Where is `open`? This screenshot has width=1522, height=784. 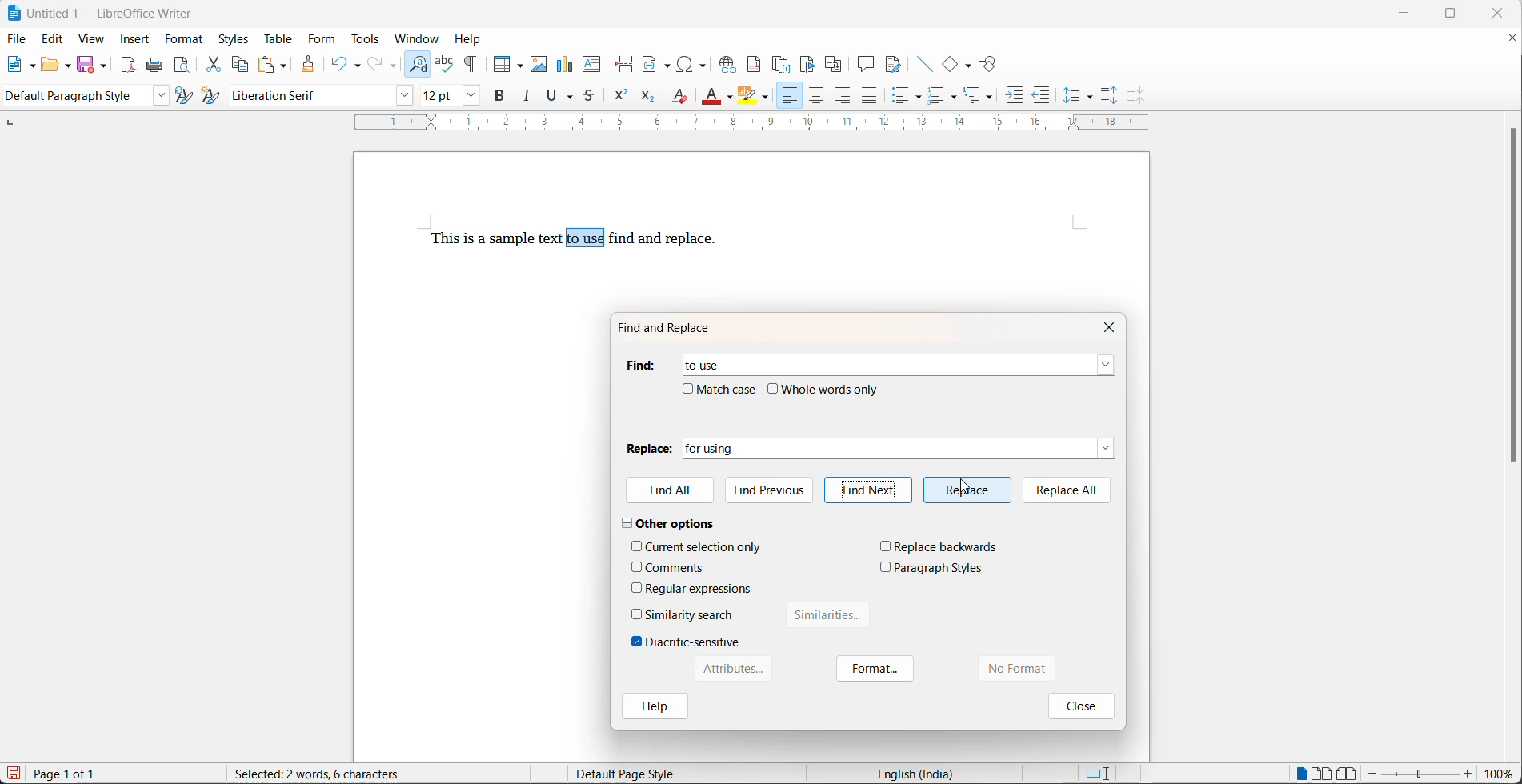 open is located at coordinates (50, 66).